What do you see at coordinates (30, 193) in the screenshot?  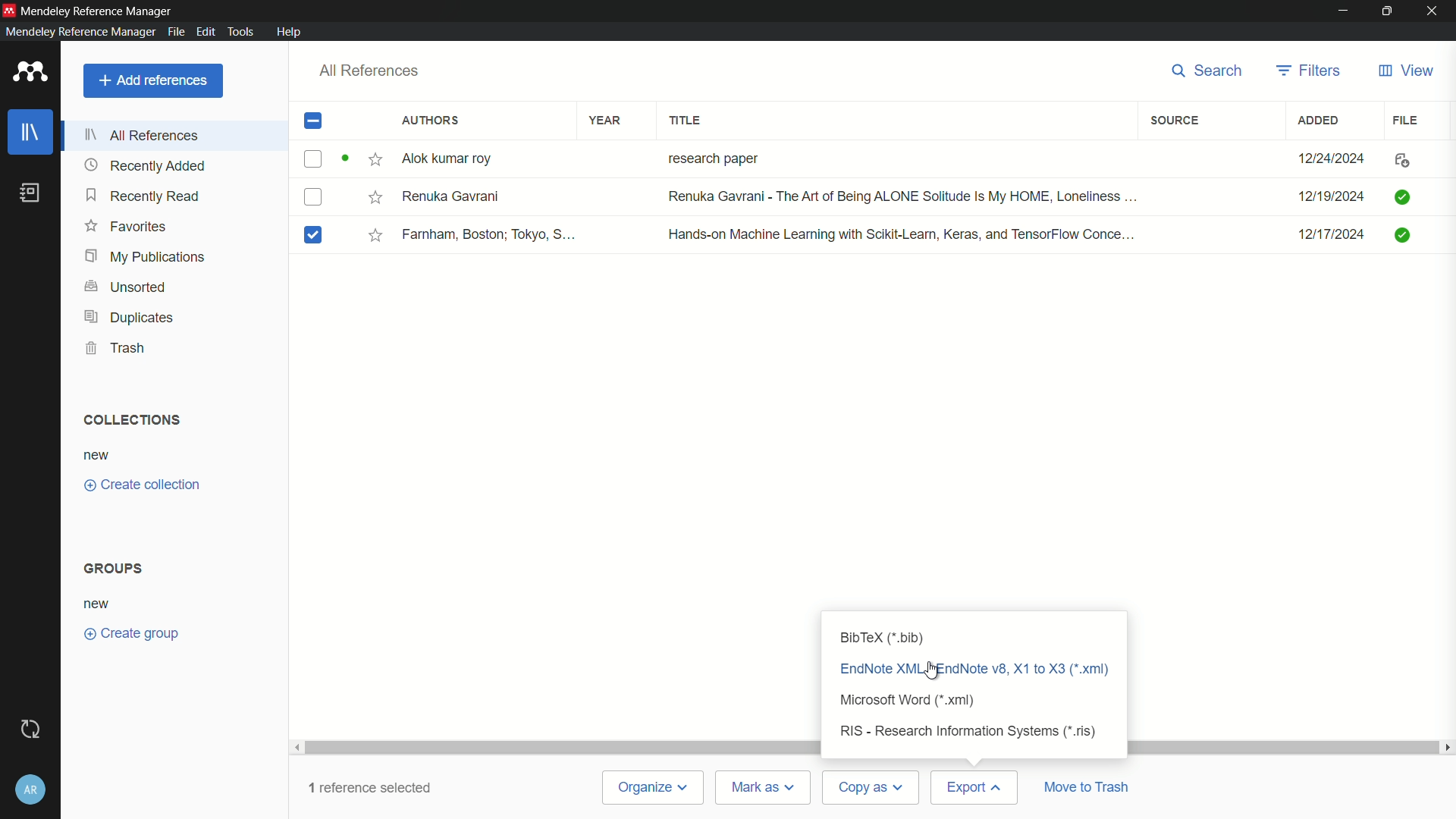 I see `book` at bounding box center [30, 193].